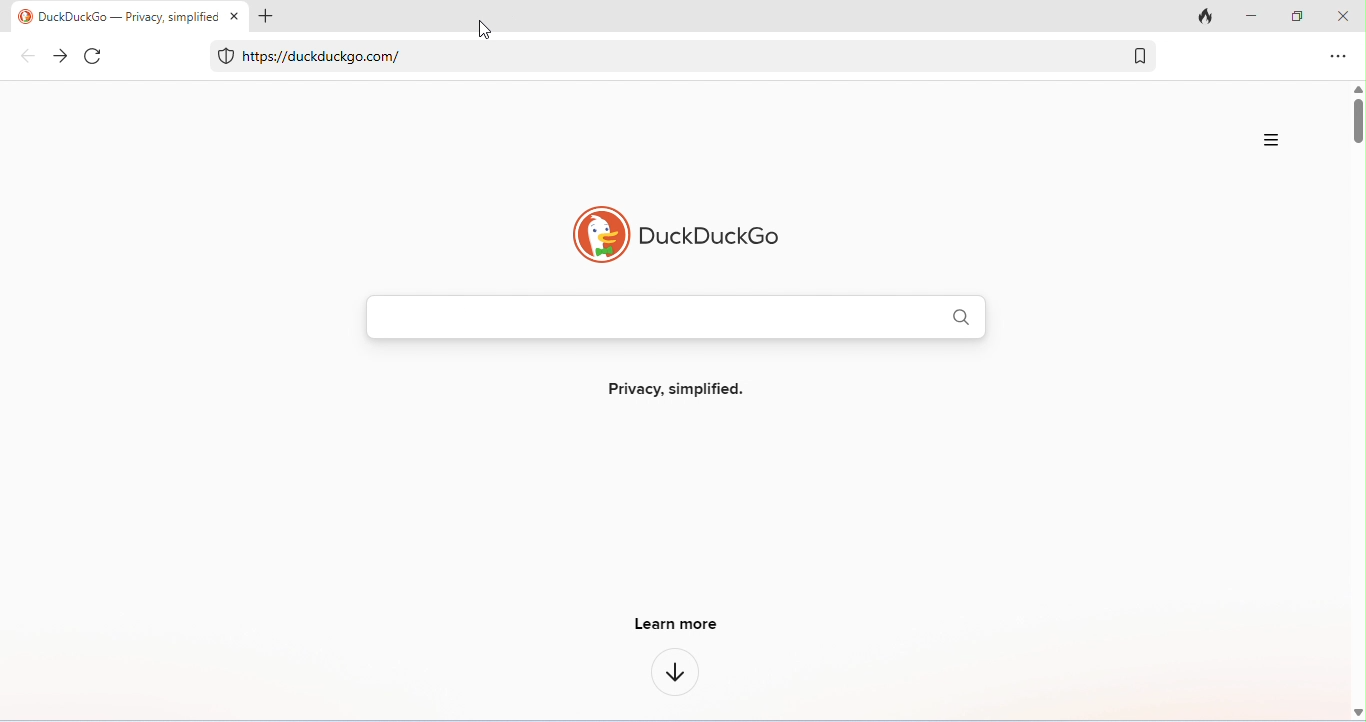 This screenshot has width=1366, height=722. I want to click on search, downloads and more options, so click(1273, 140).